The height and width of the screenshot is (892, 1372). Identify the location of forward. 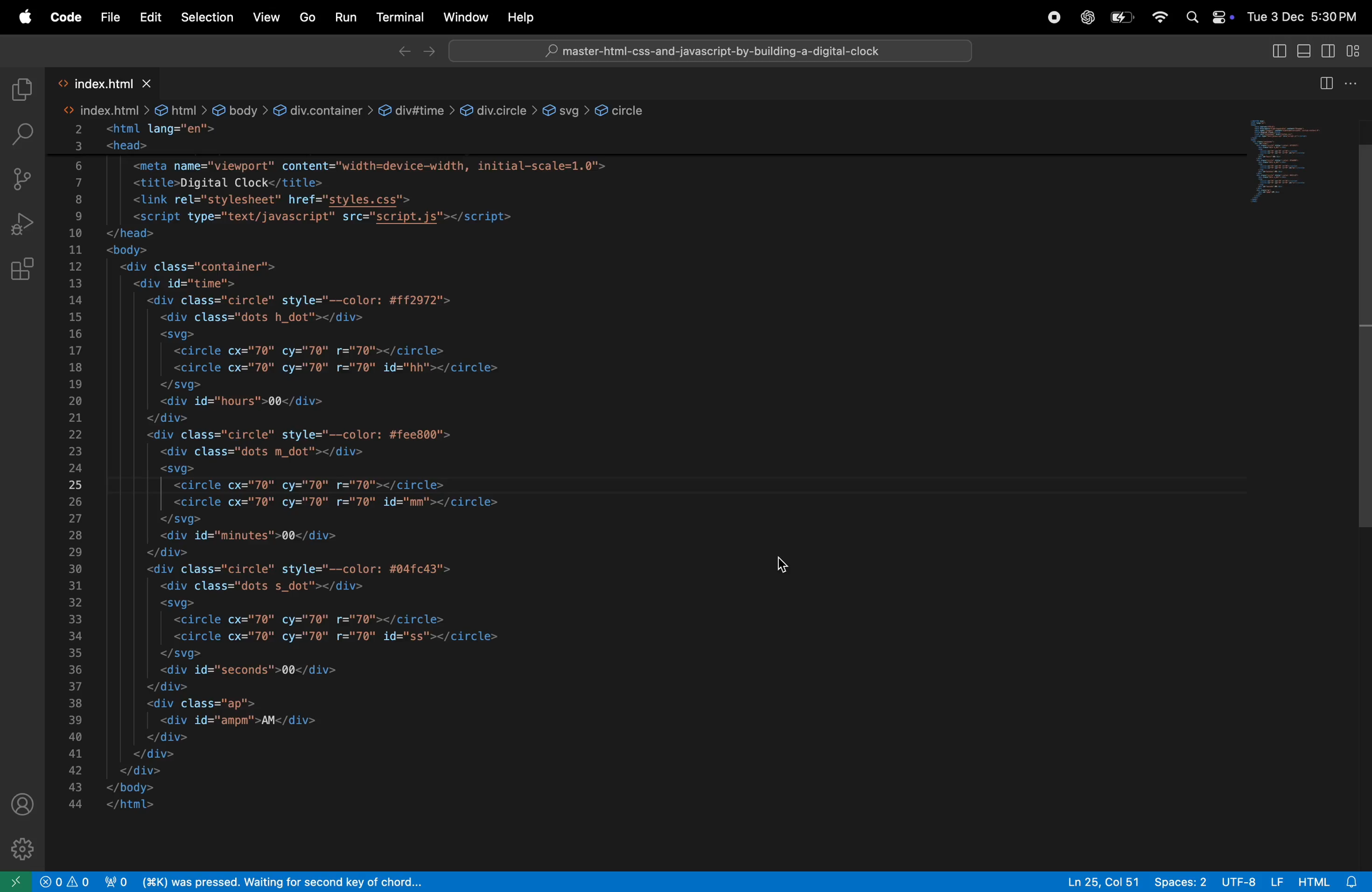
(428, 51).